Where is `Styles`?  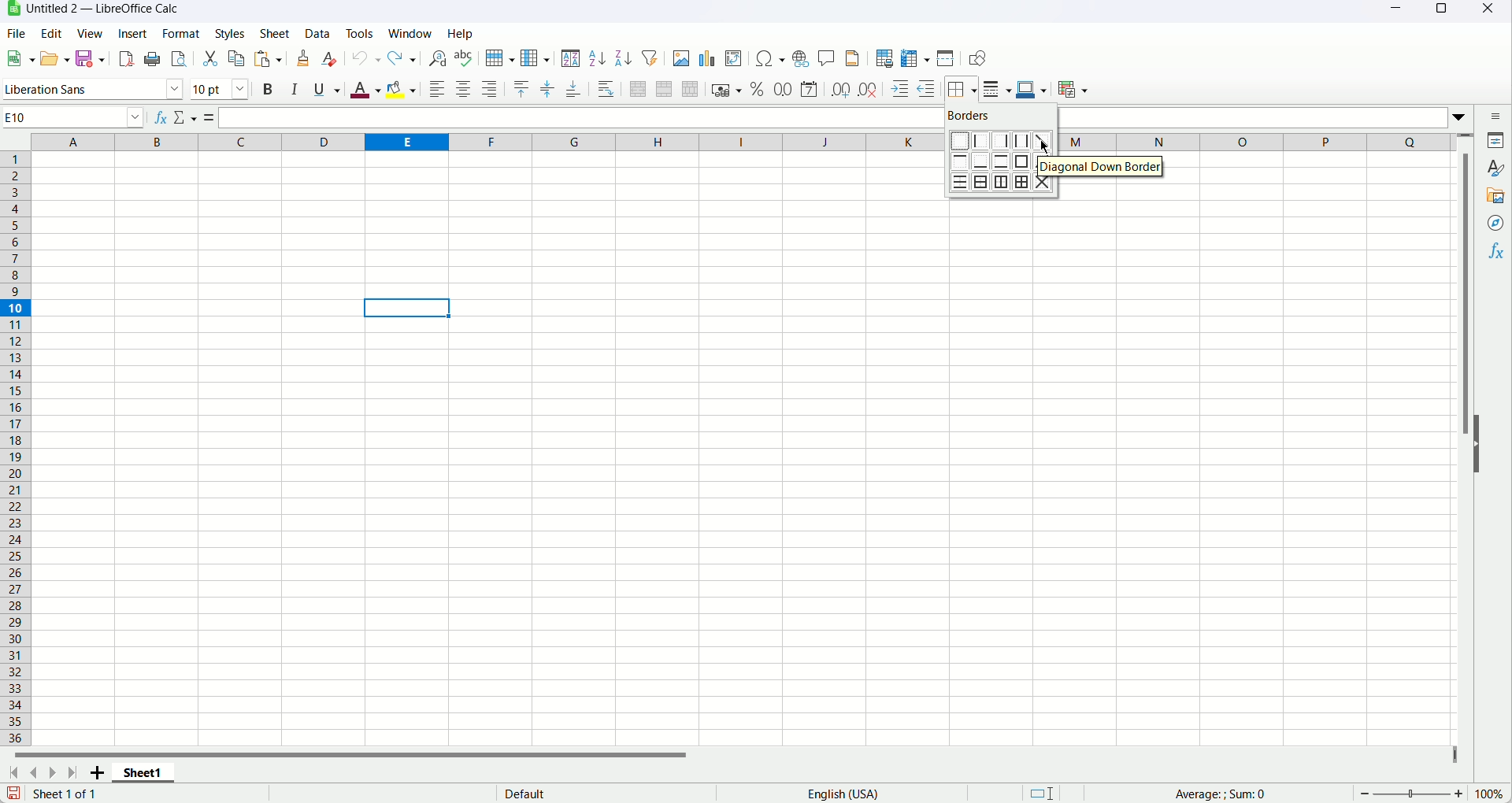 Styles is located at coordinates (234, 32).